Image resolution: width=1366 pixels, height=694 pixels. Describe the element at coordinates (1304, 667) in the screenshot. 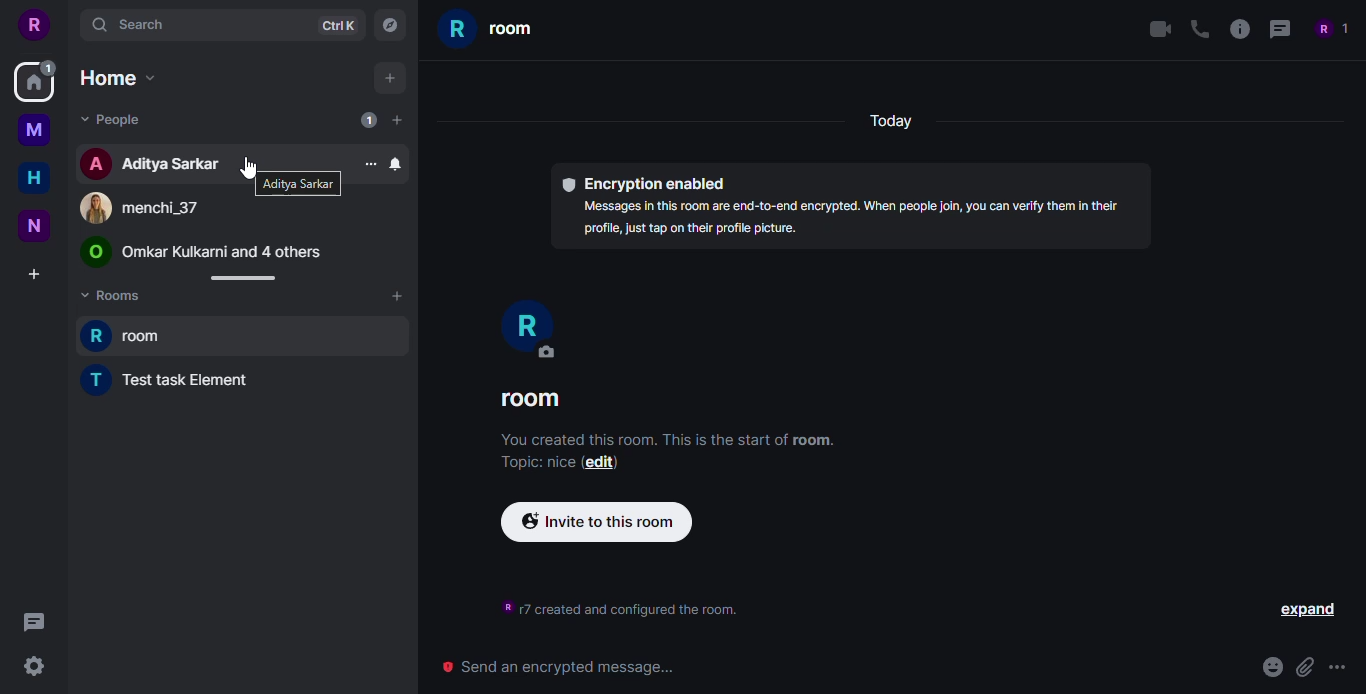

I see `attach` at that location.